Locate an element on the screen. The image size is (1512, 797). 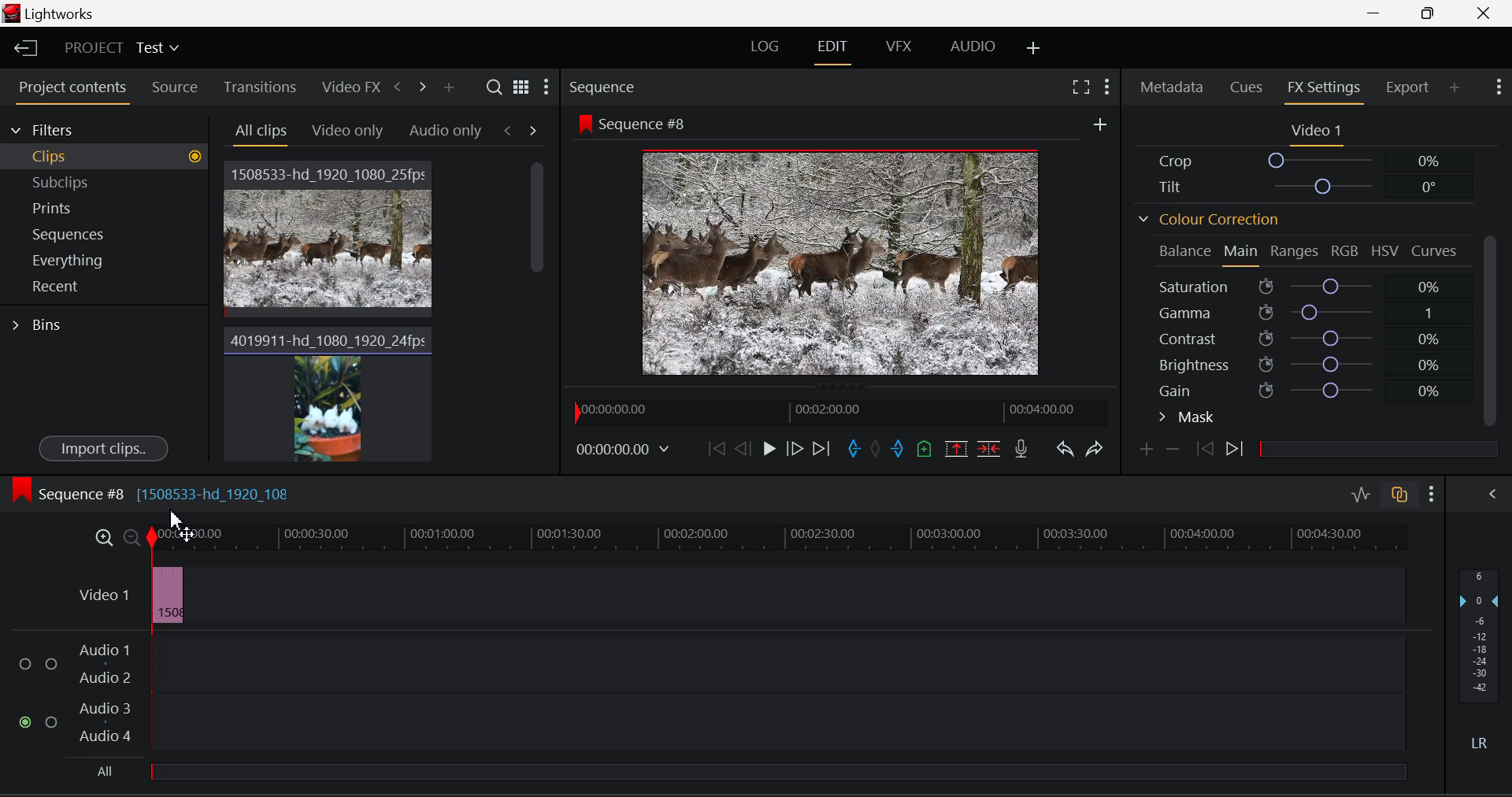
Add Keyframe is located at coordinates (1147, 450).